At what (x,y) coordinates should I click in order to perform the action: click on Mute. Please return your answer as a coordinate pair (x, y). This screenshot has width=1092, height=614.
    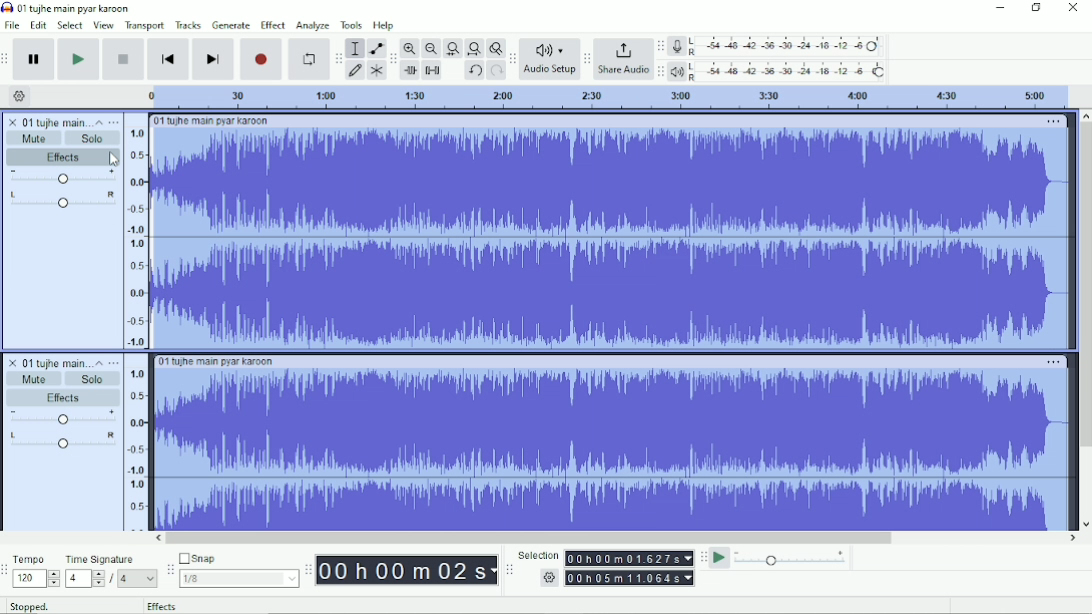
    Looking at the image, I should click on (31, 140).